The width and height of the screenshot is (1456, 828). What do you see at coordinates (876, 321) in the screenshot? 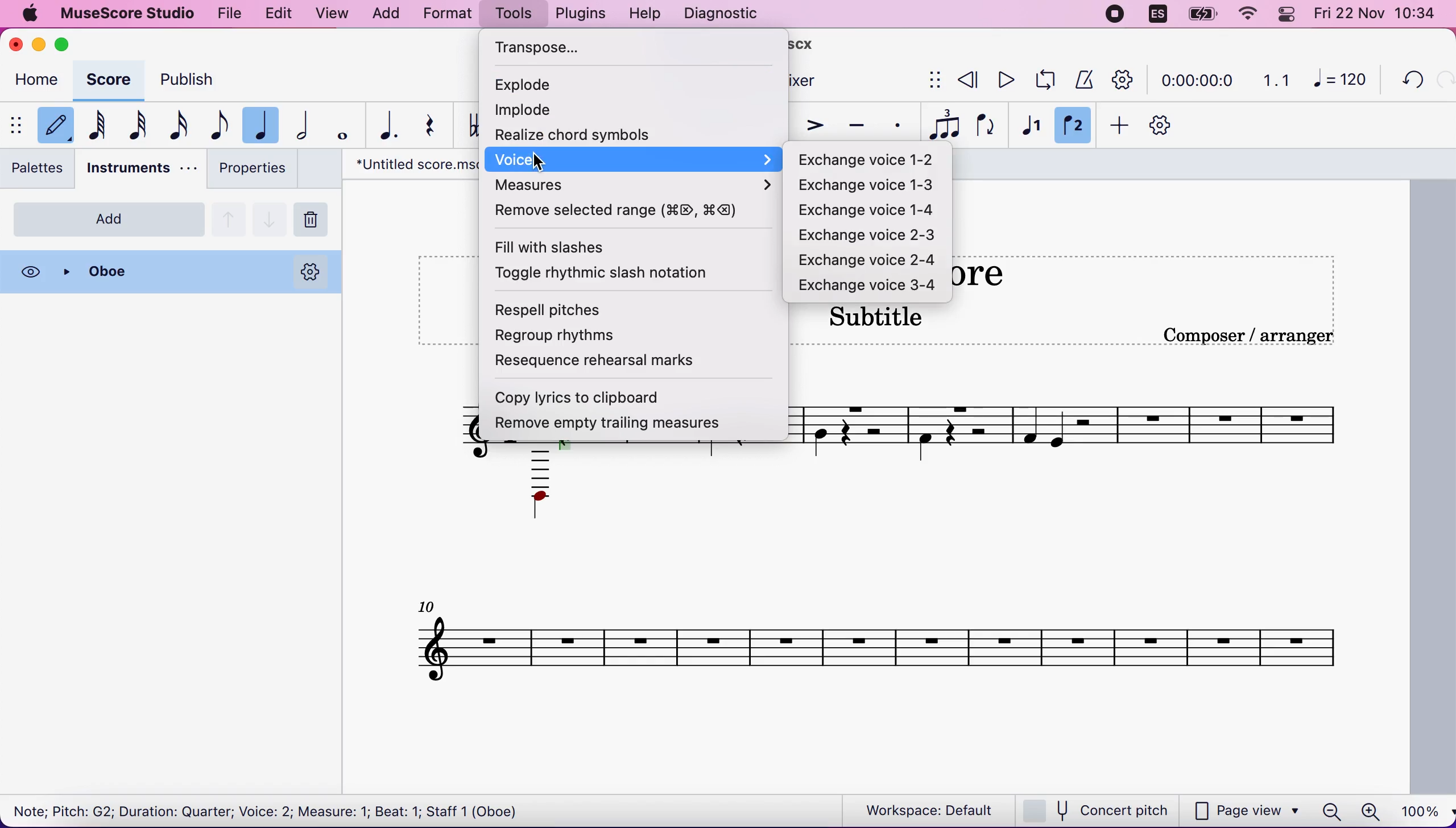
I see `text` at bounding box center [876, 321].